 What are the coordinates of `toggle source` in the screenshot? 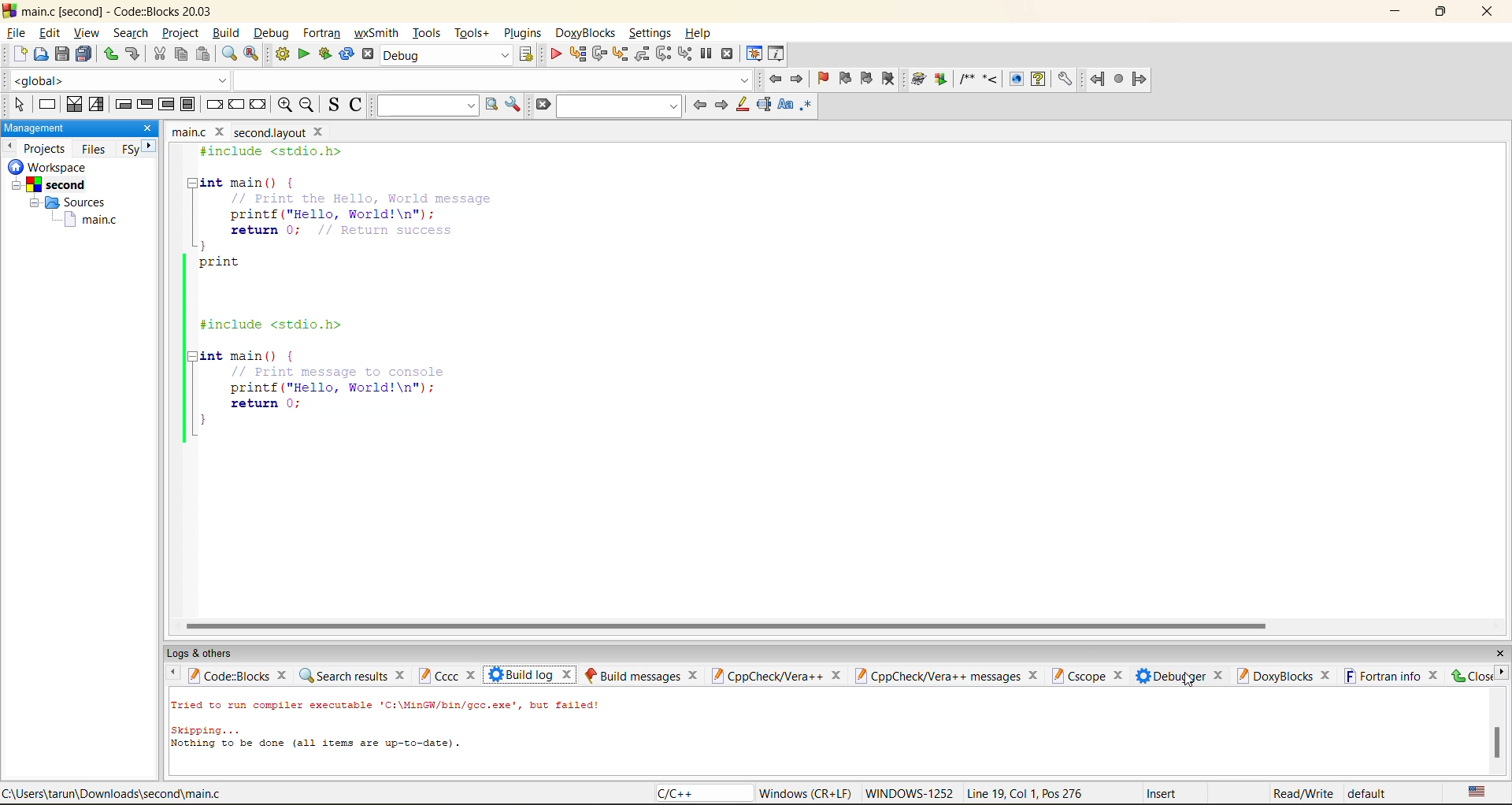 It's located at (333, 104).